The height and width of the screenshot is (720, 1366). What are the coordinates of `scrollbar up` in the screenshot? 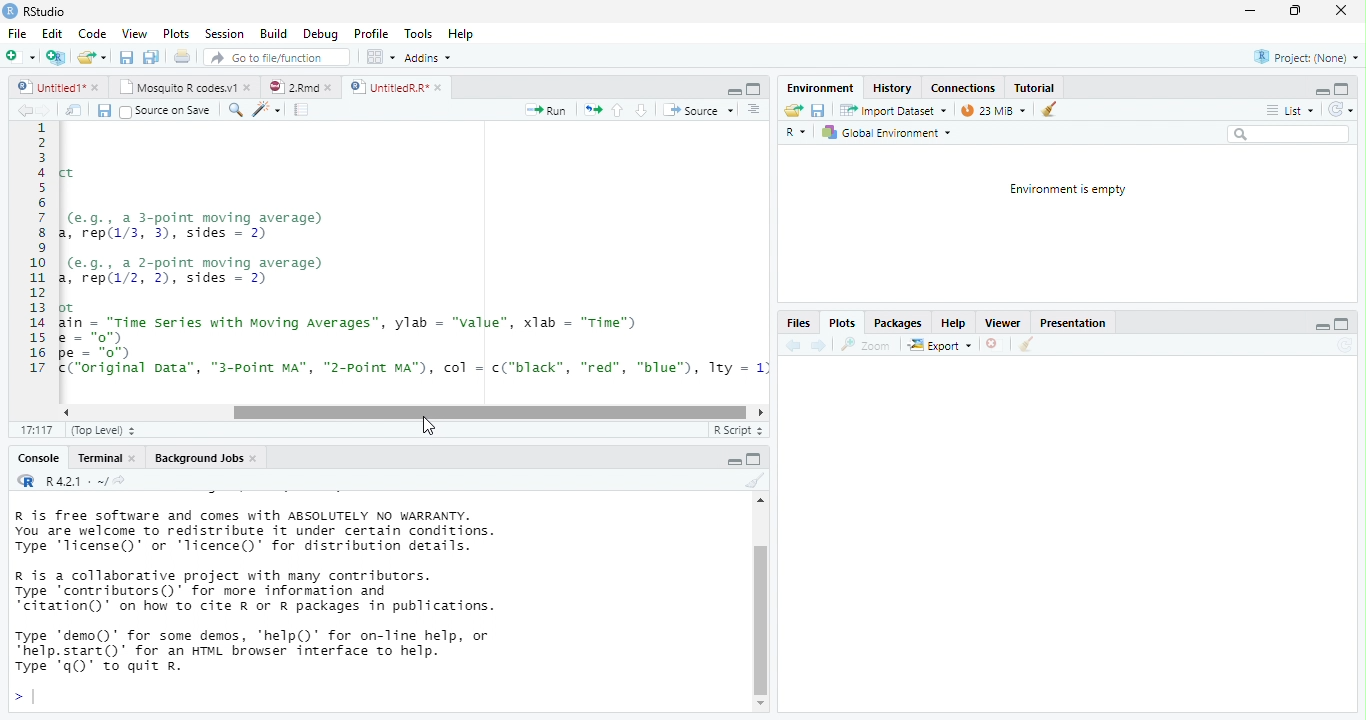 It's located at (758, 503).